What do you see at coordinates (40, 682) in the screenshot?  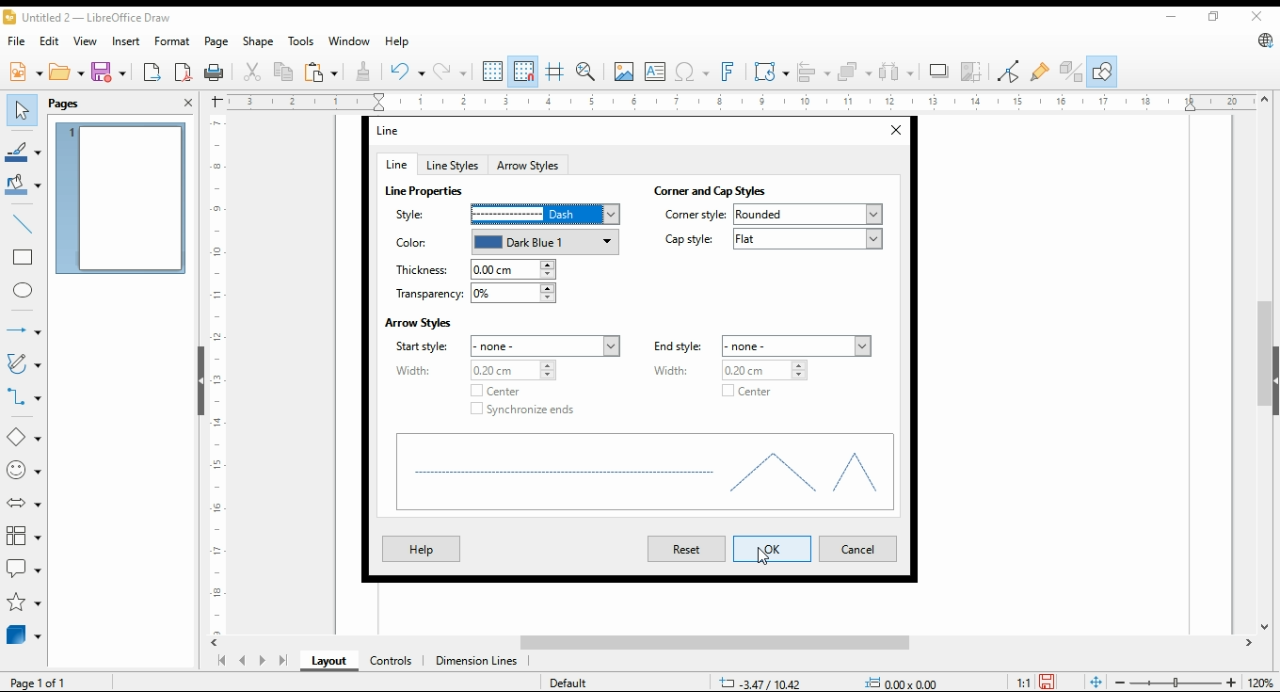 I see `page 1 of 1` at bounding box center [40, 682].